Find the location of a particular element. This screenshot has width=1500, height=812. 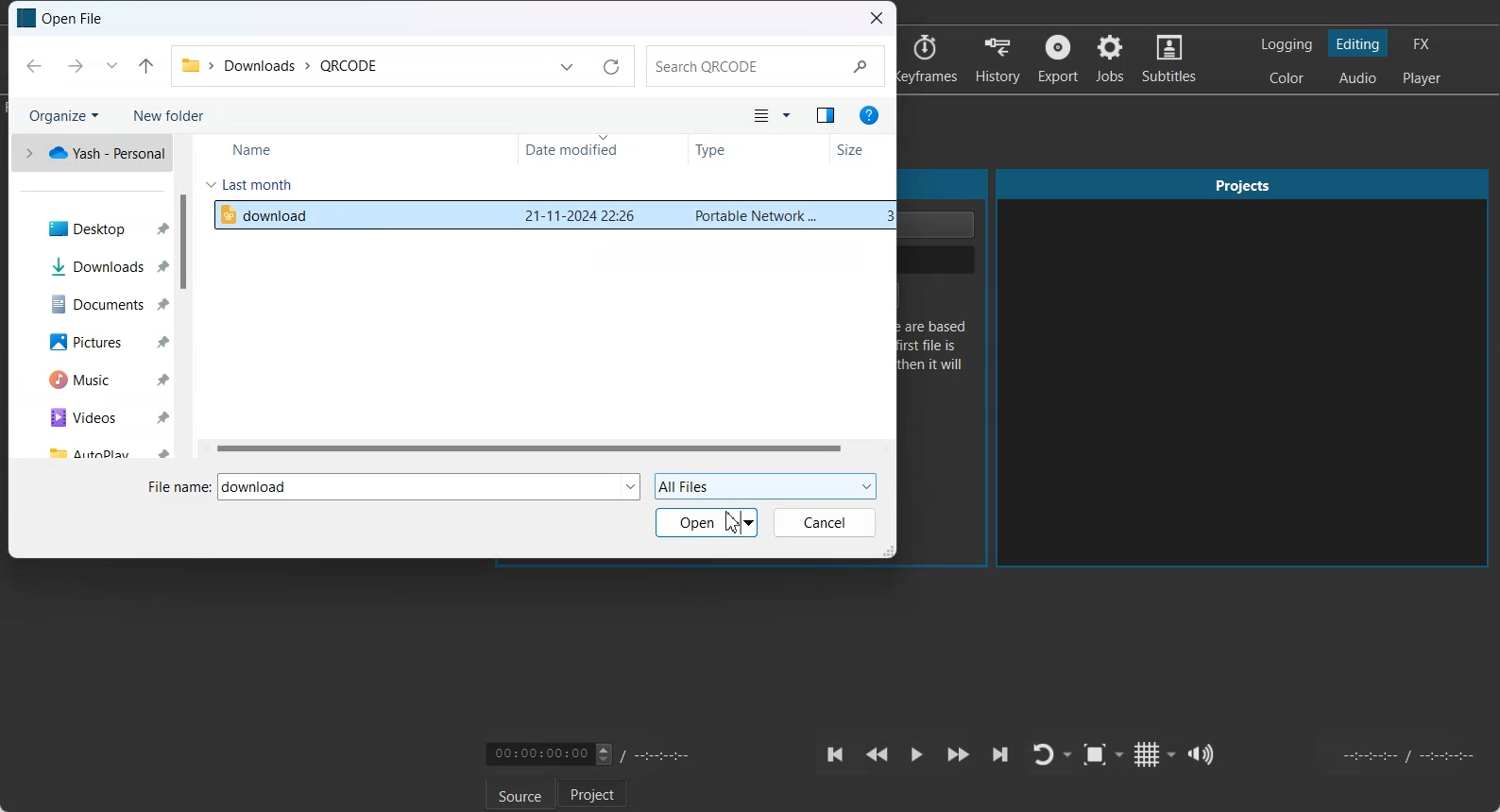

Change your view is located at coordinates (759, 115).